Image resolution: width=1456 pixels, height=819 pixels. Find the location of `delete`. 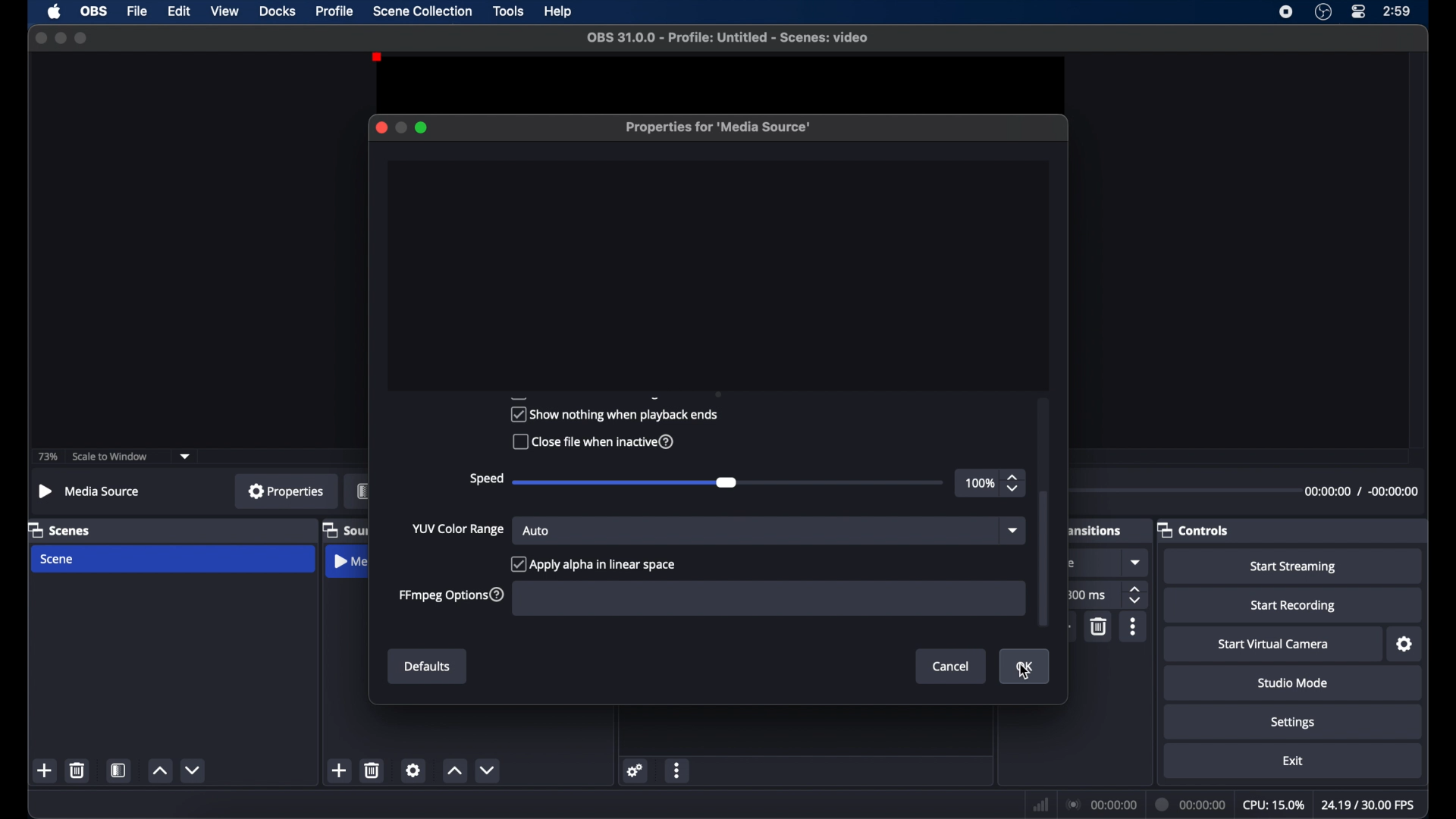

delete is located at coordinates (372, 770).